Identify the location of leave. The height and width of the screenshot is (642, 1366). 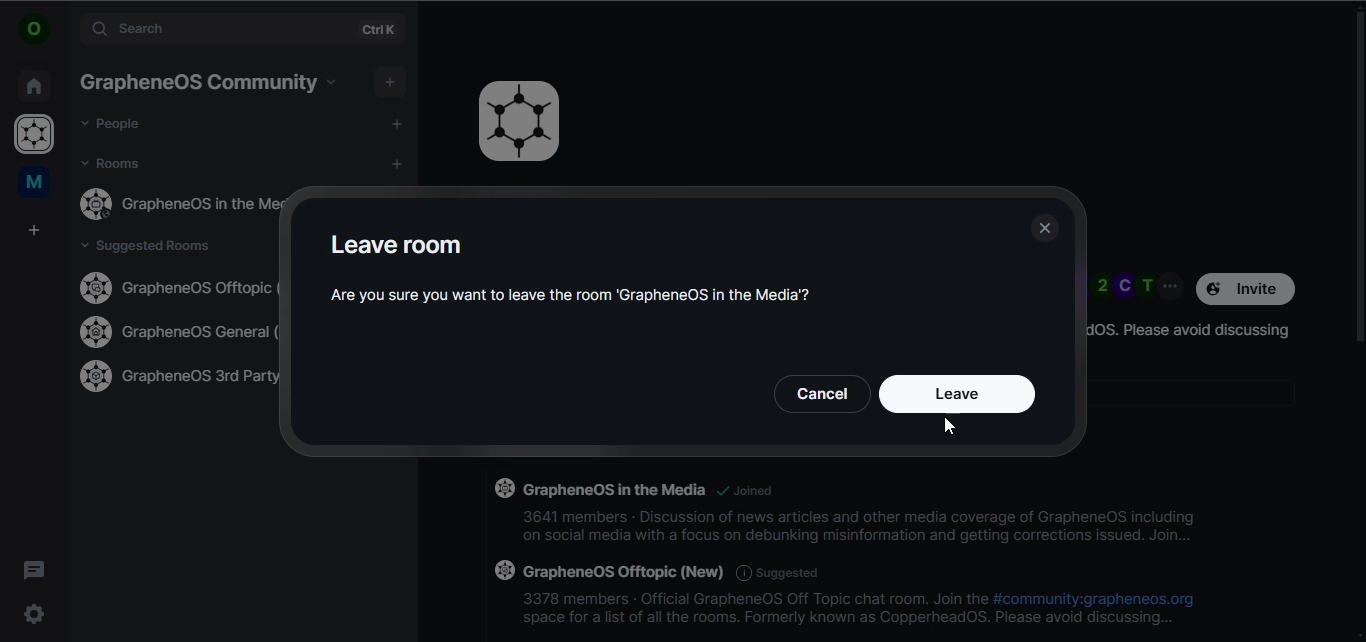
(954, 397).